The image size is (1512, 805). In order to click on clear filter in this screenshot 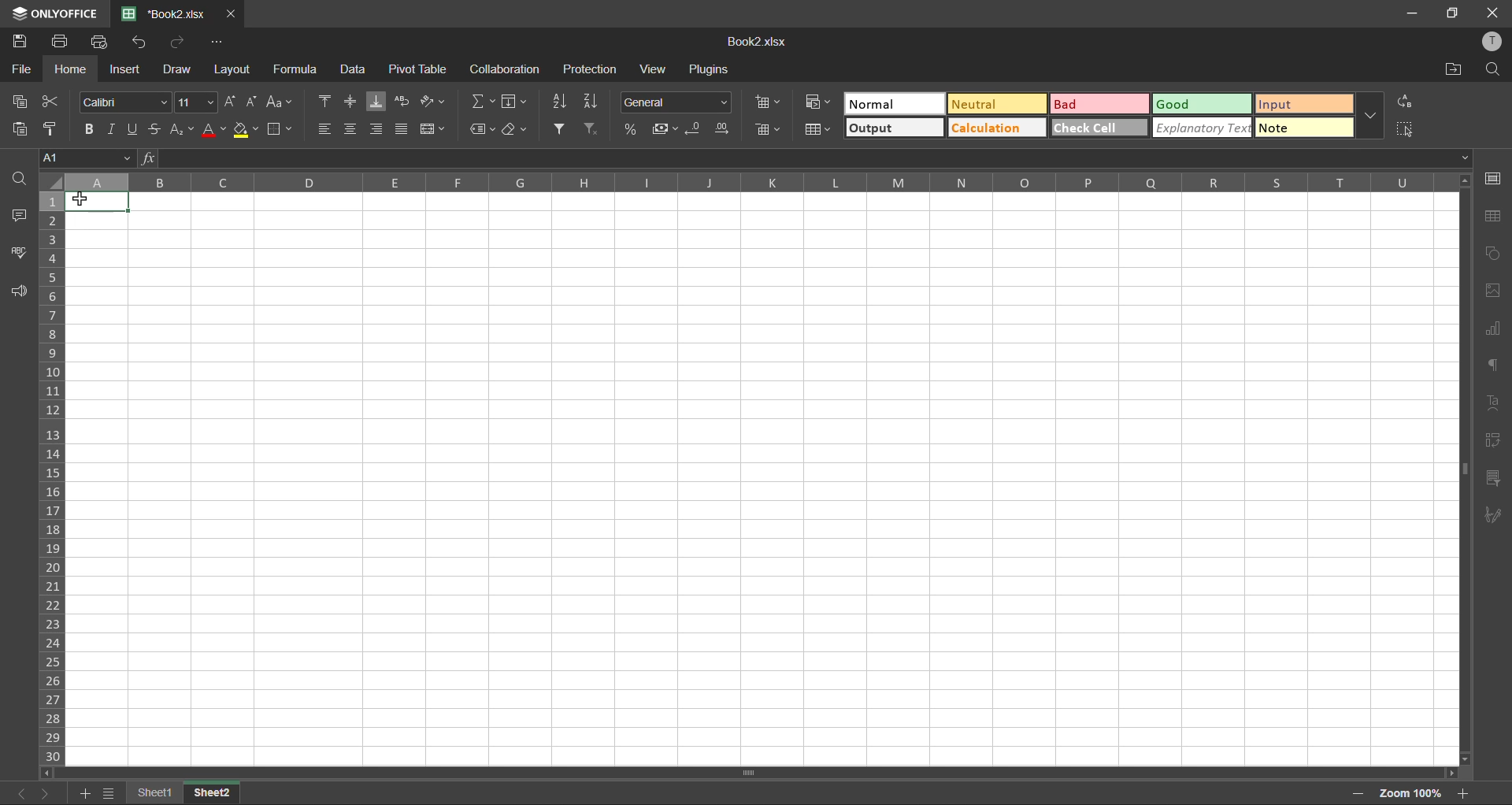, I will do `click(592, 127)`.